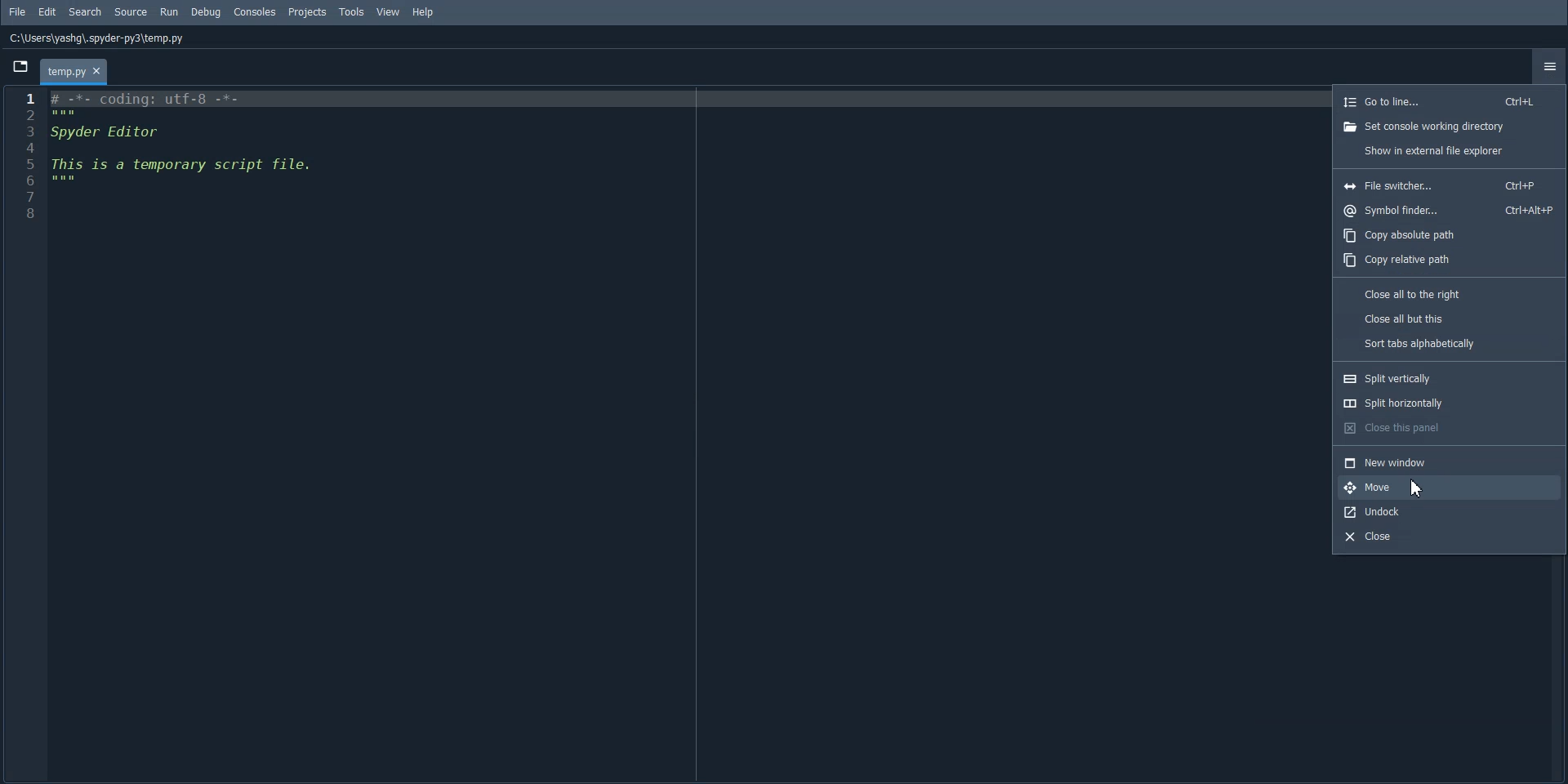 This screenshot has height=784, width=1568. What do you see at coordinates (97, 39) in the screenshot?
I see `C:\Users\yashg\.spyder-py3\temp.py` at bounding box center [97, 39].